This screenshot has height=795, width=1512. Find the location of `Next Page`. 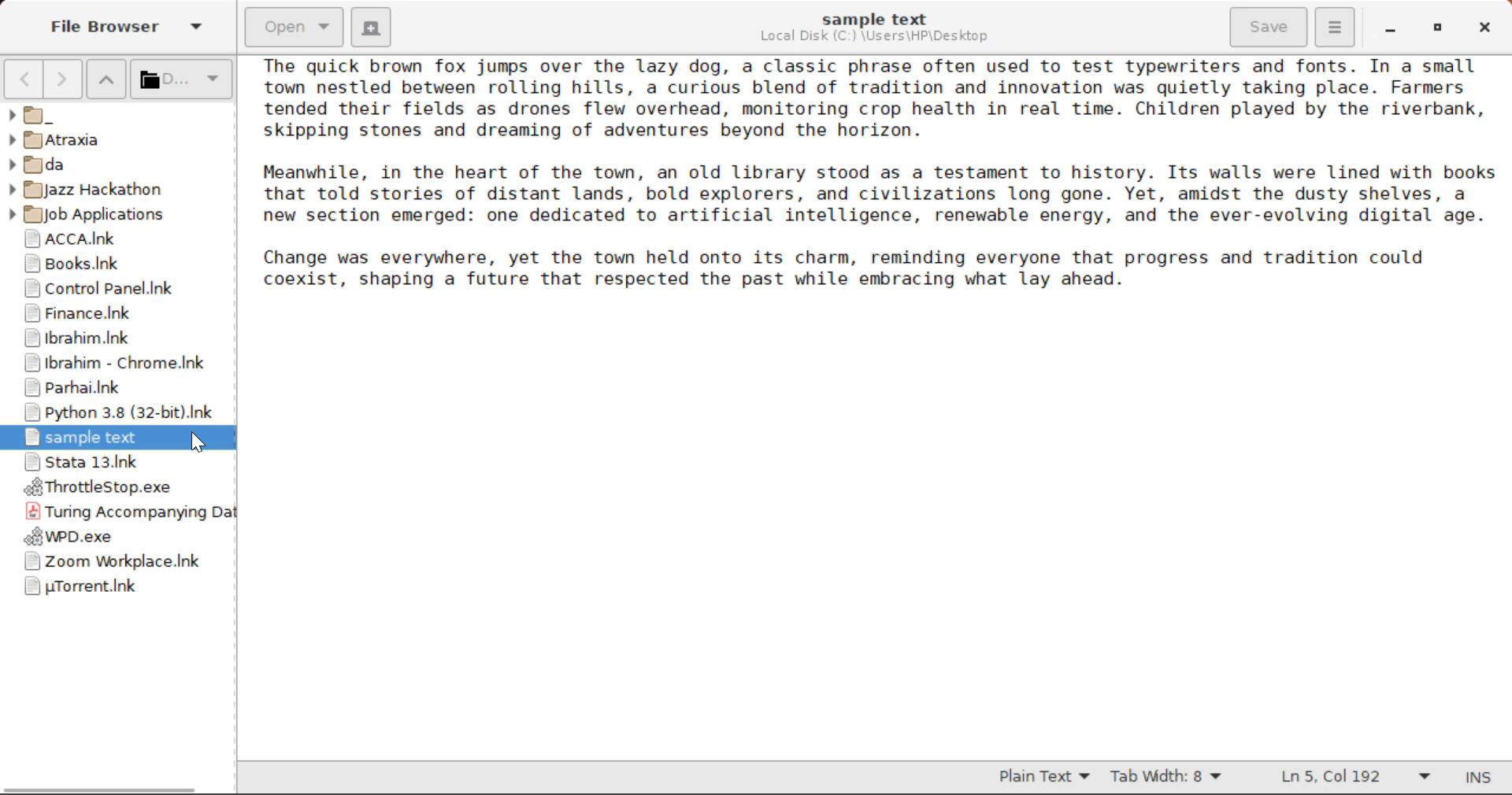

Next Page is located at coordinates (65, 79).